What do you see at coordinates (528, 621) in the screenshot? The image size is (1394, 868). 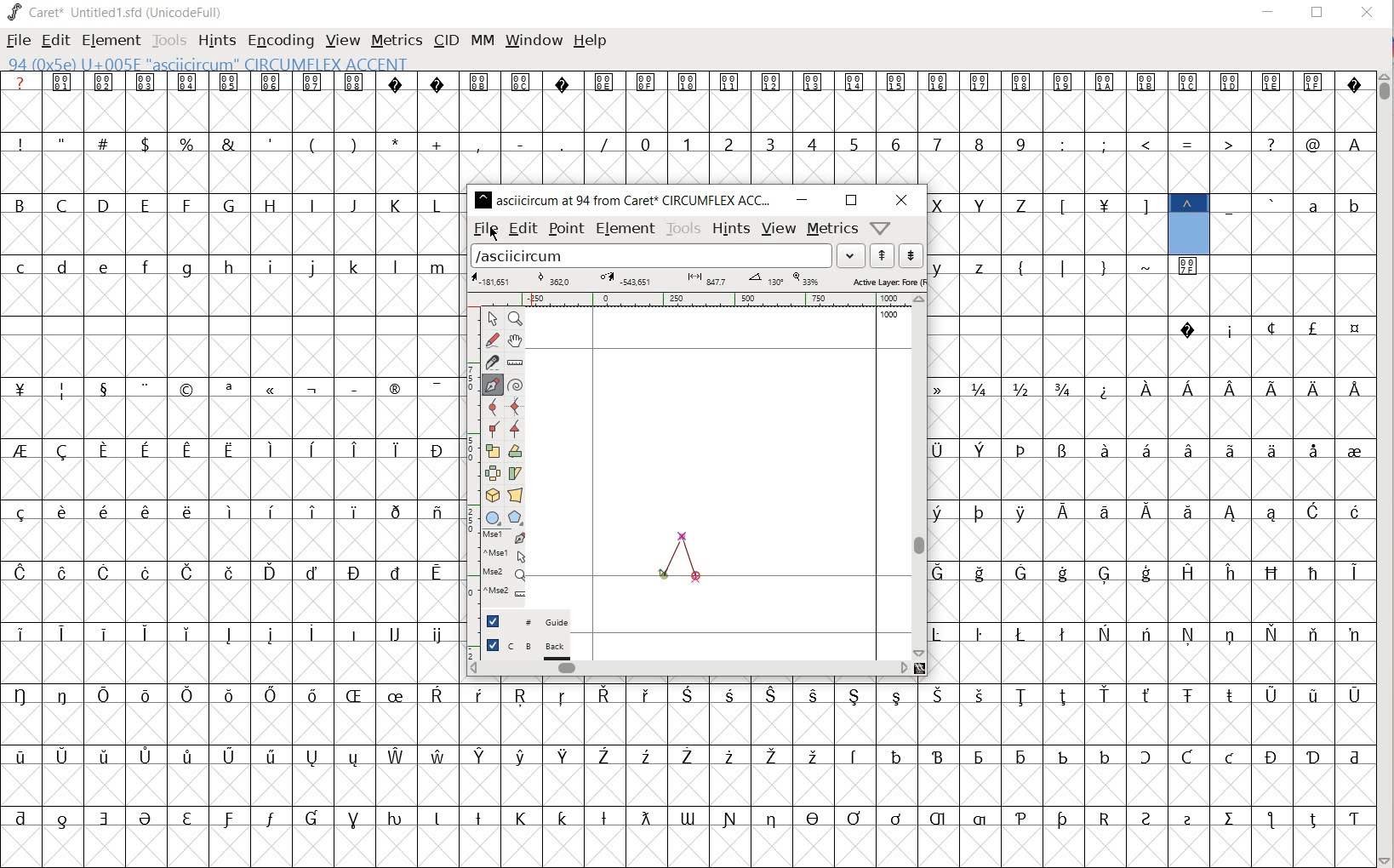 I see `guide` at bounding box center [528, 621].